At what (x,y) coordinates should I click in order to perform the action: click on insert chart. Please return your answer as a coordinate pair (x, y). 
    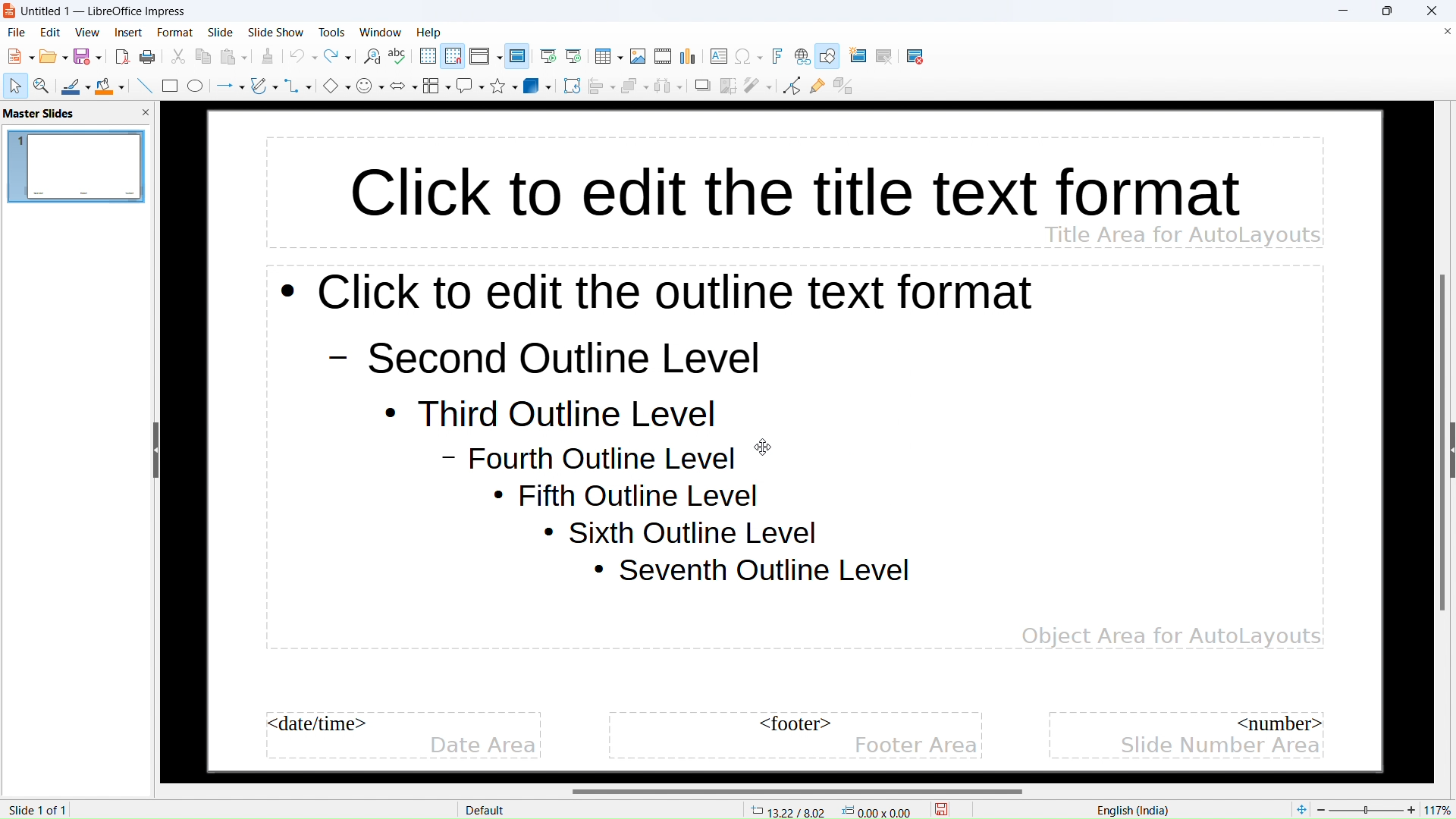
    Looking at the image, I should click on (689, 56).